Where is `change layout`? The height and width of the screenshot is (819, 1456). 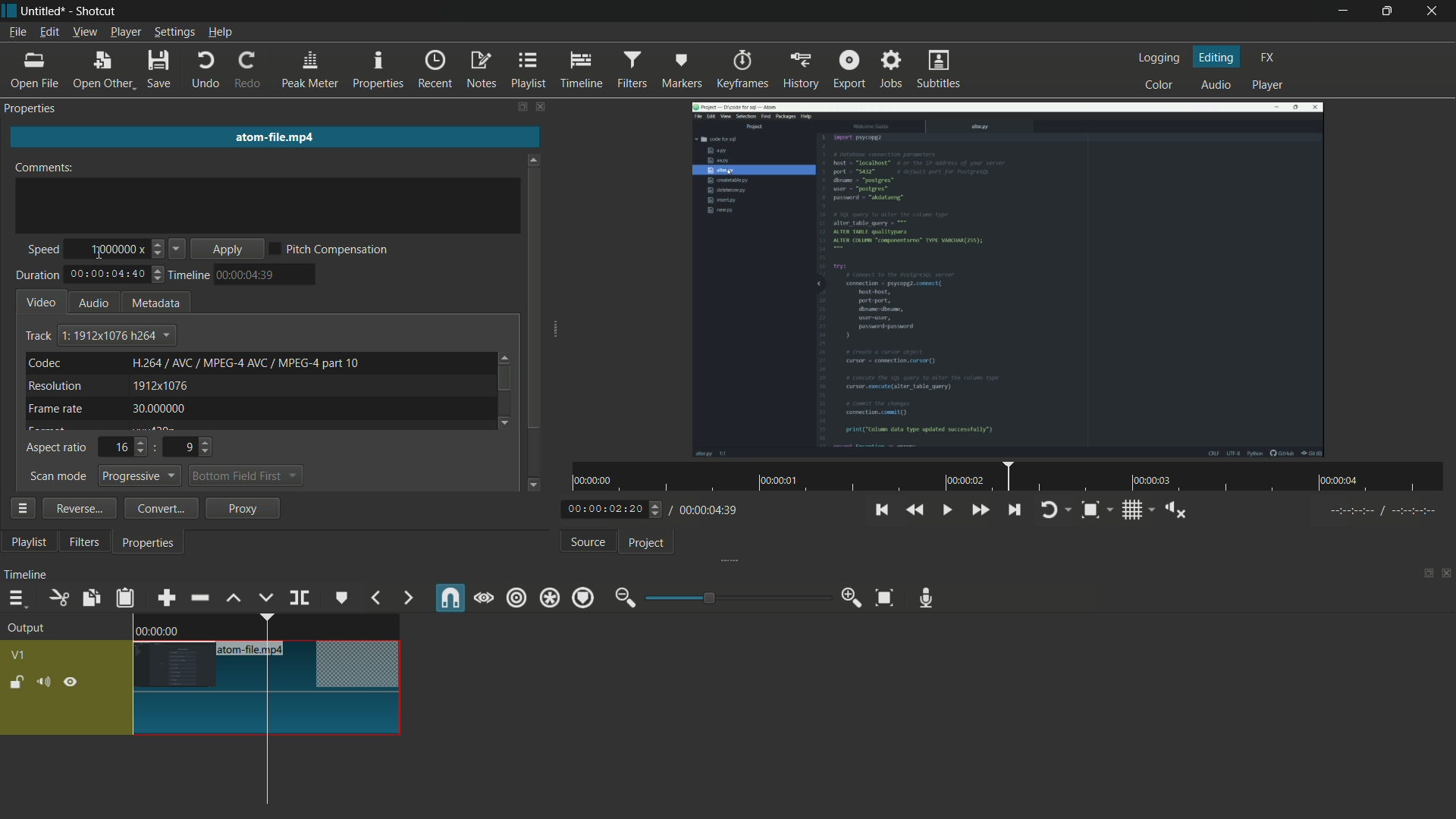 change layout is located at coordinates (521, 108).